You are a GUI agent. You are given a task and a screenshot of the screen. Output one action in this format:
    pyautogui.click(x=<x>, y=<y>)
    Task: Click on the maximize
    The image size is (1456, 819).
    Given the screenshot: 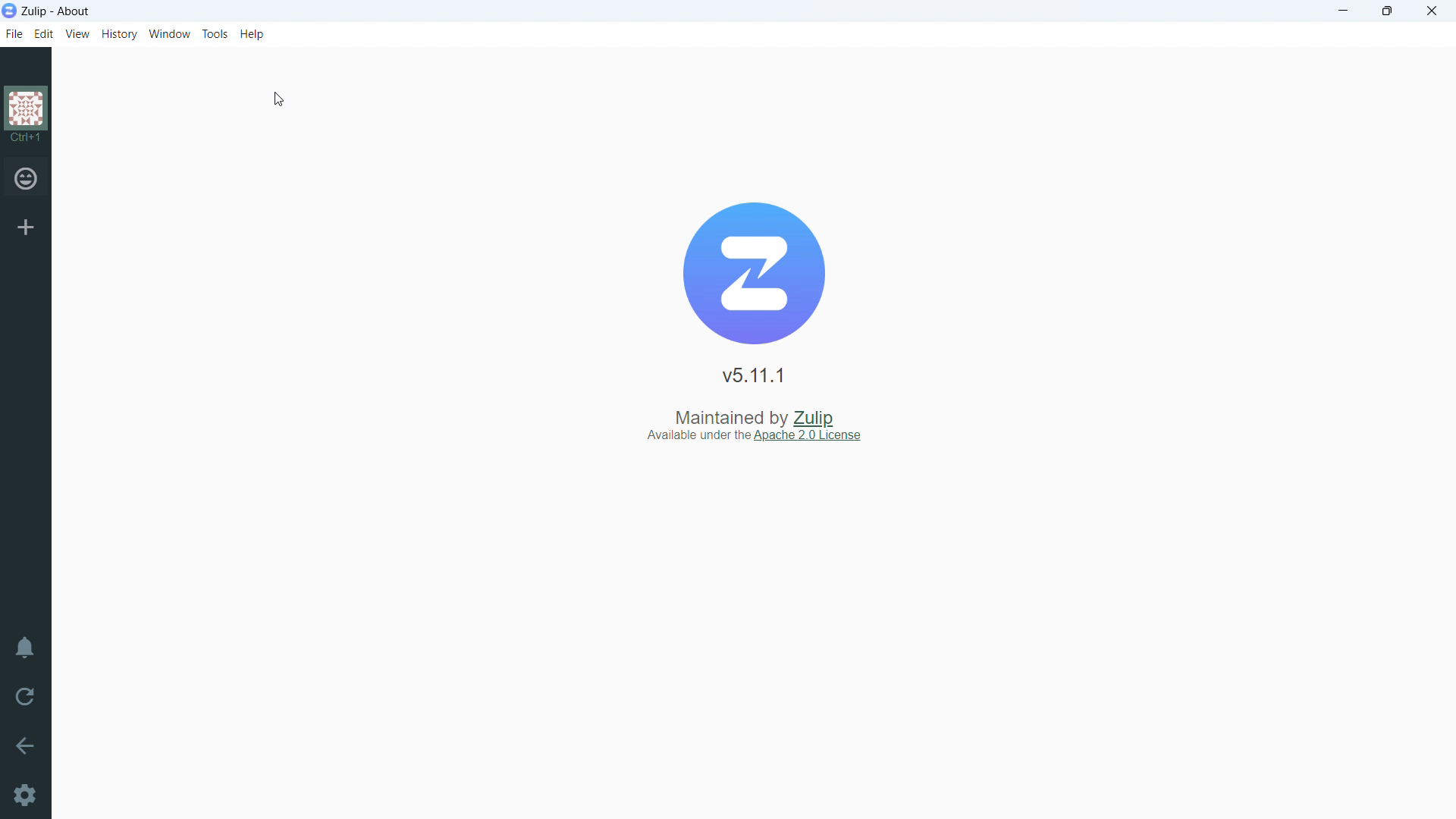 What is the action you would take?
    pyautogui.click(x=1386, y=11)
    